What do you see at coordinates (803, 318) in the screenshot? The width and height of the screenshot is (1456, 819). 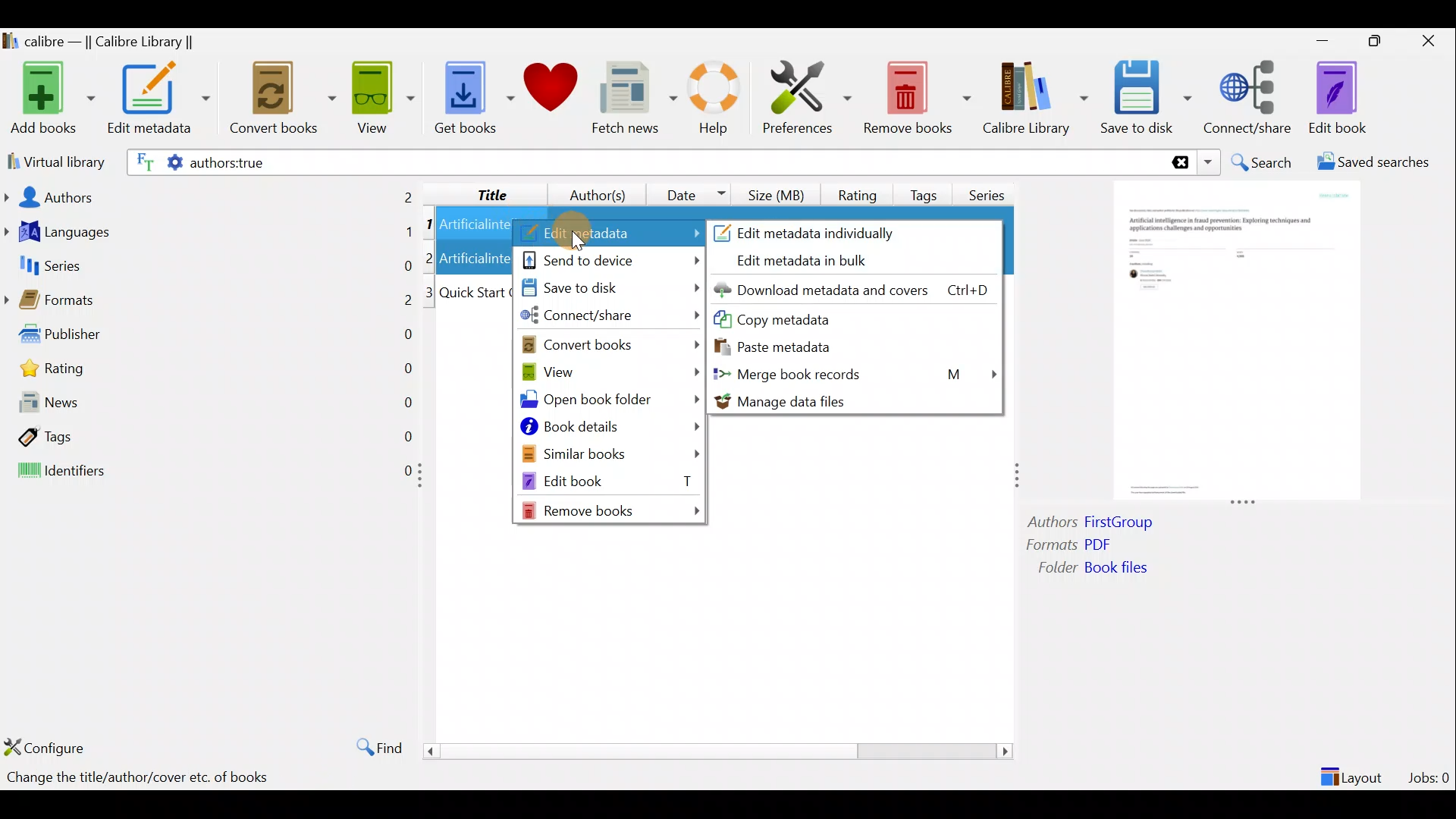 I see `Copy metadata` at bounding box center [803, 318].